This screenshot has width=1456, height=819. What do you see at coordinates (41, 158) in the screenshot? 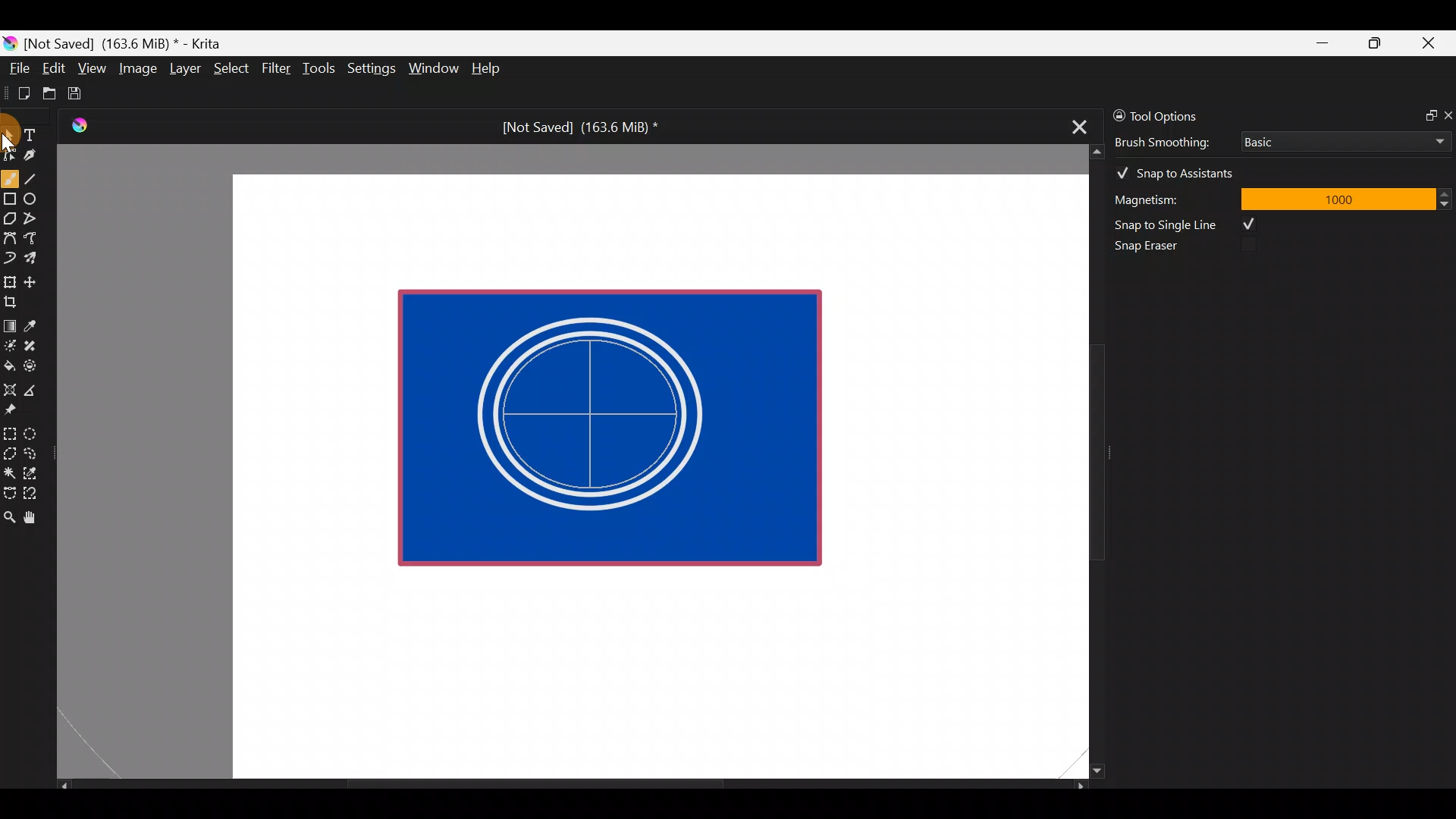
I see `Calligraphy` at bounding box center [41, 158].